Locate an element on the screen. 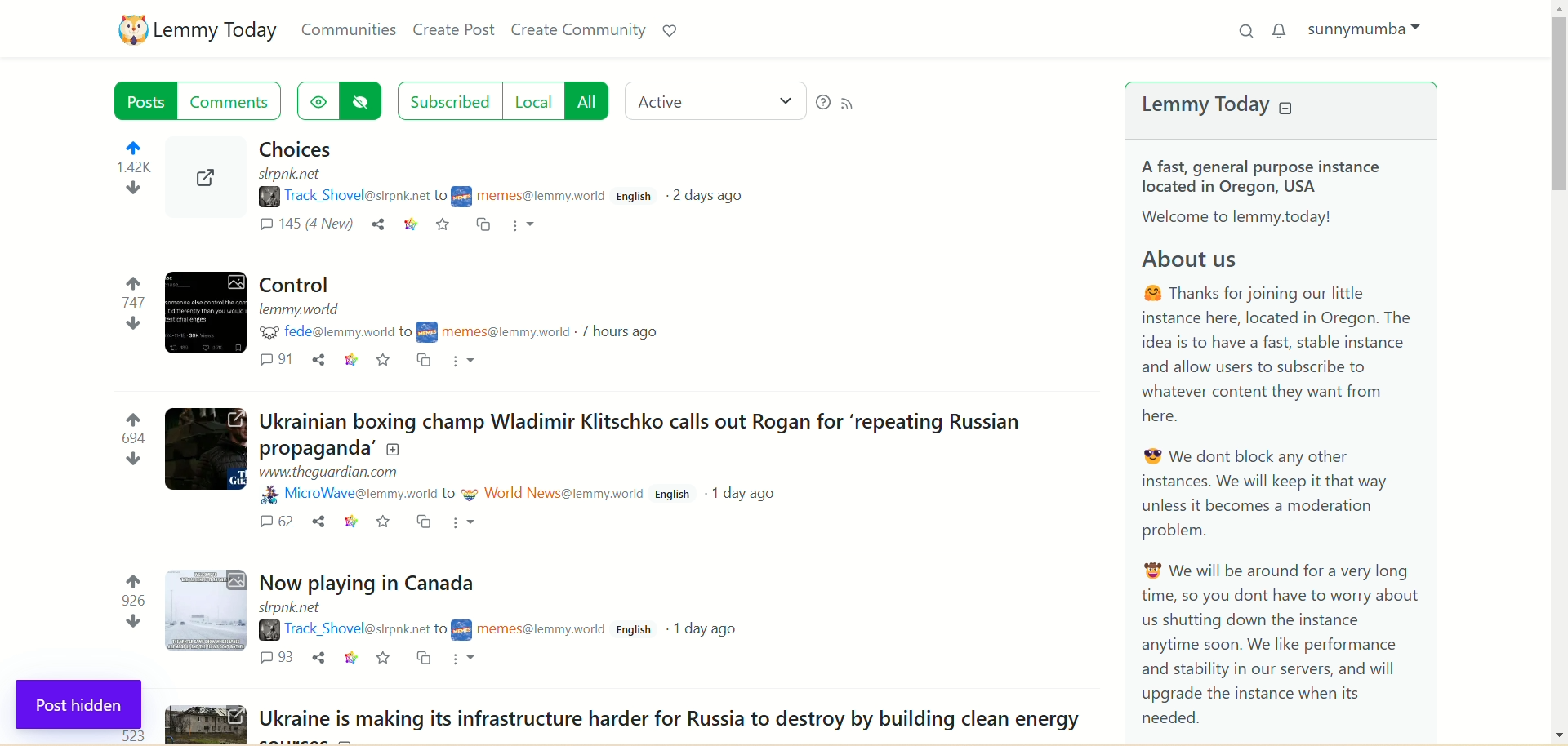 The height and width of the screenshot is (746, 1568). Expand the post with image details is located at coordinates (204, 451).